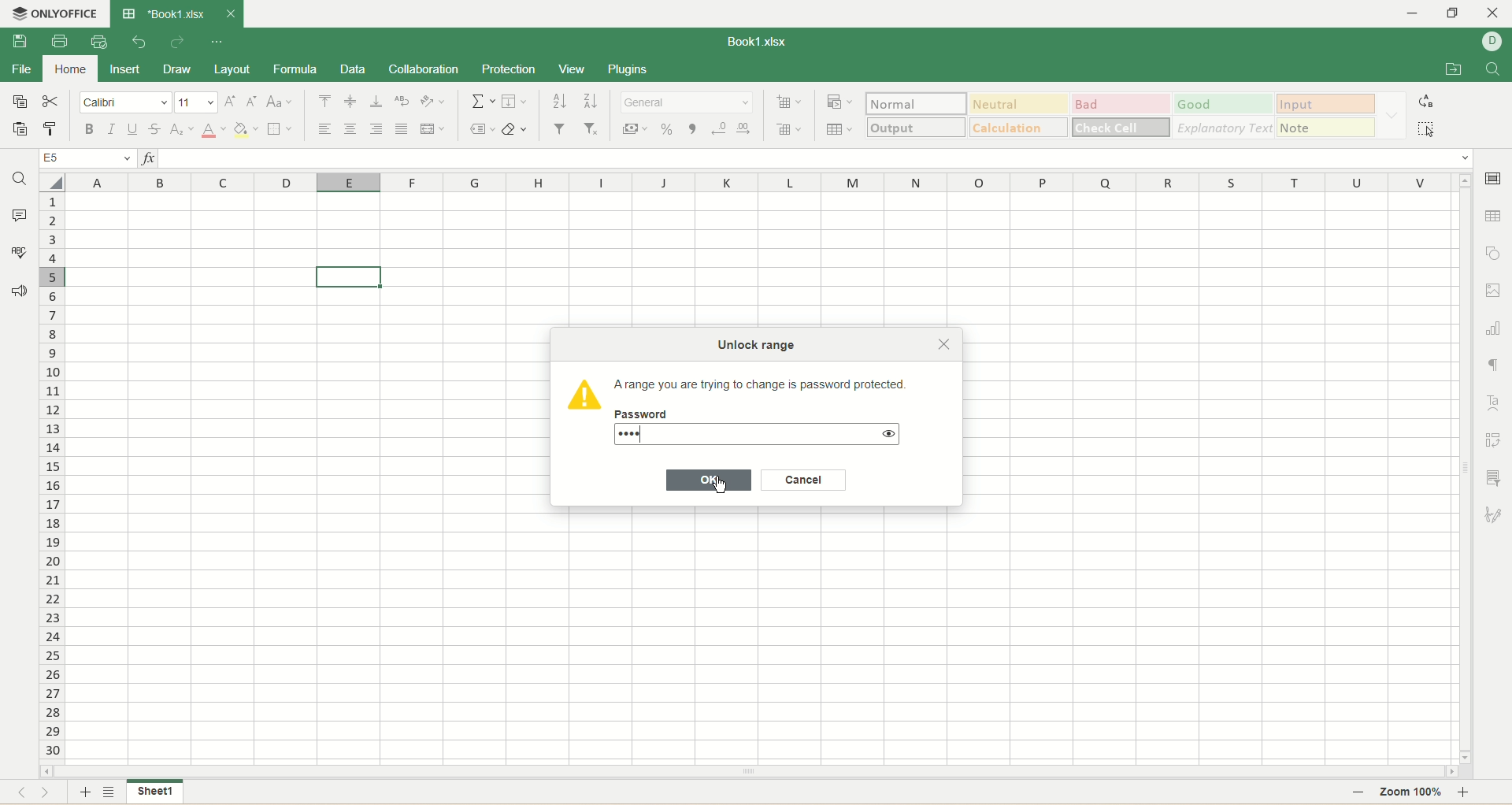  Describe the element at coordinates (424, 69) in the screenshot. I see `collaboration` at that location.